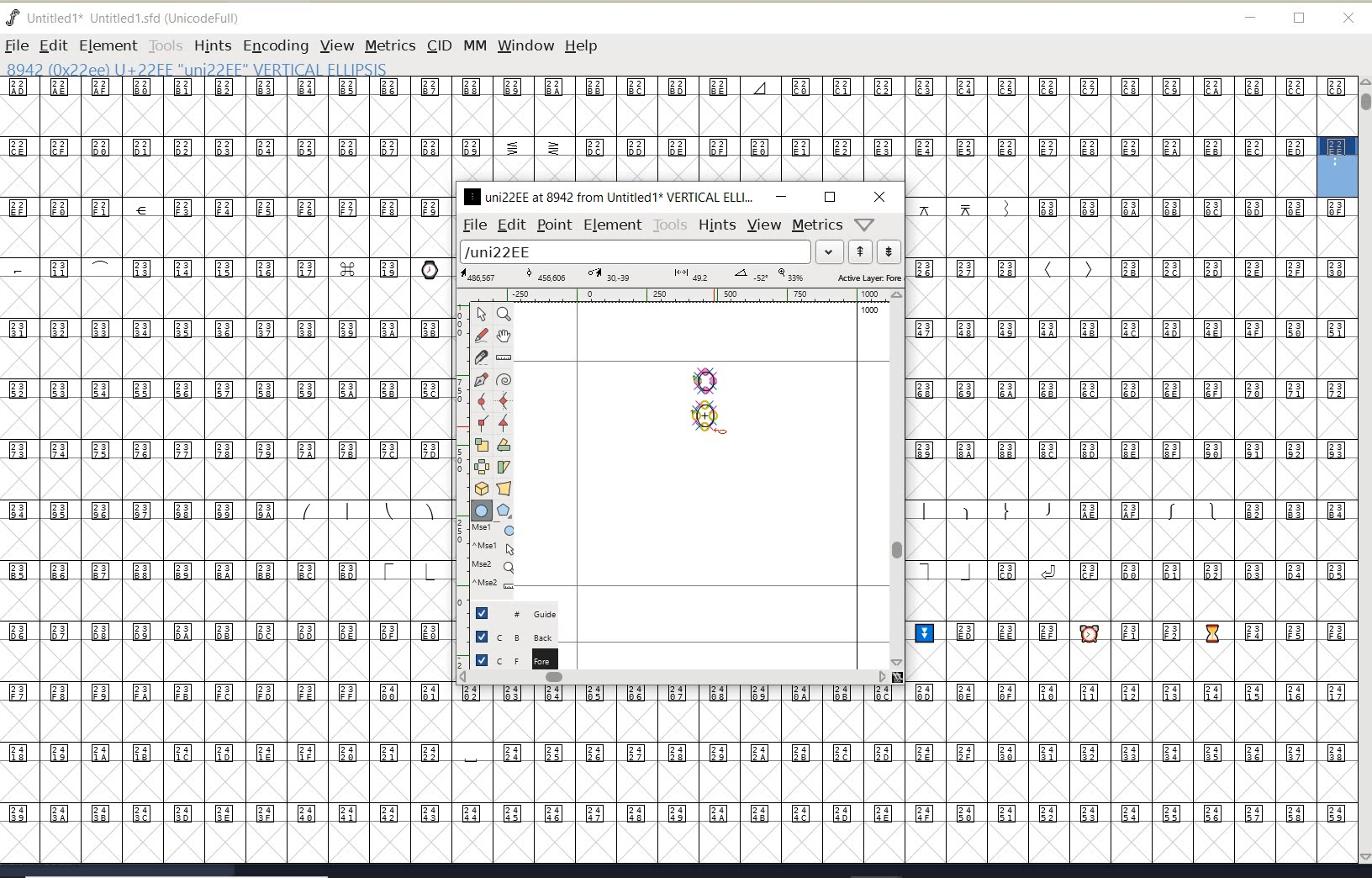 The width and height of the screenshot is (1372, 878). I want to click on tools, so click(671, 225).